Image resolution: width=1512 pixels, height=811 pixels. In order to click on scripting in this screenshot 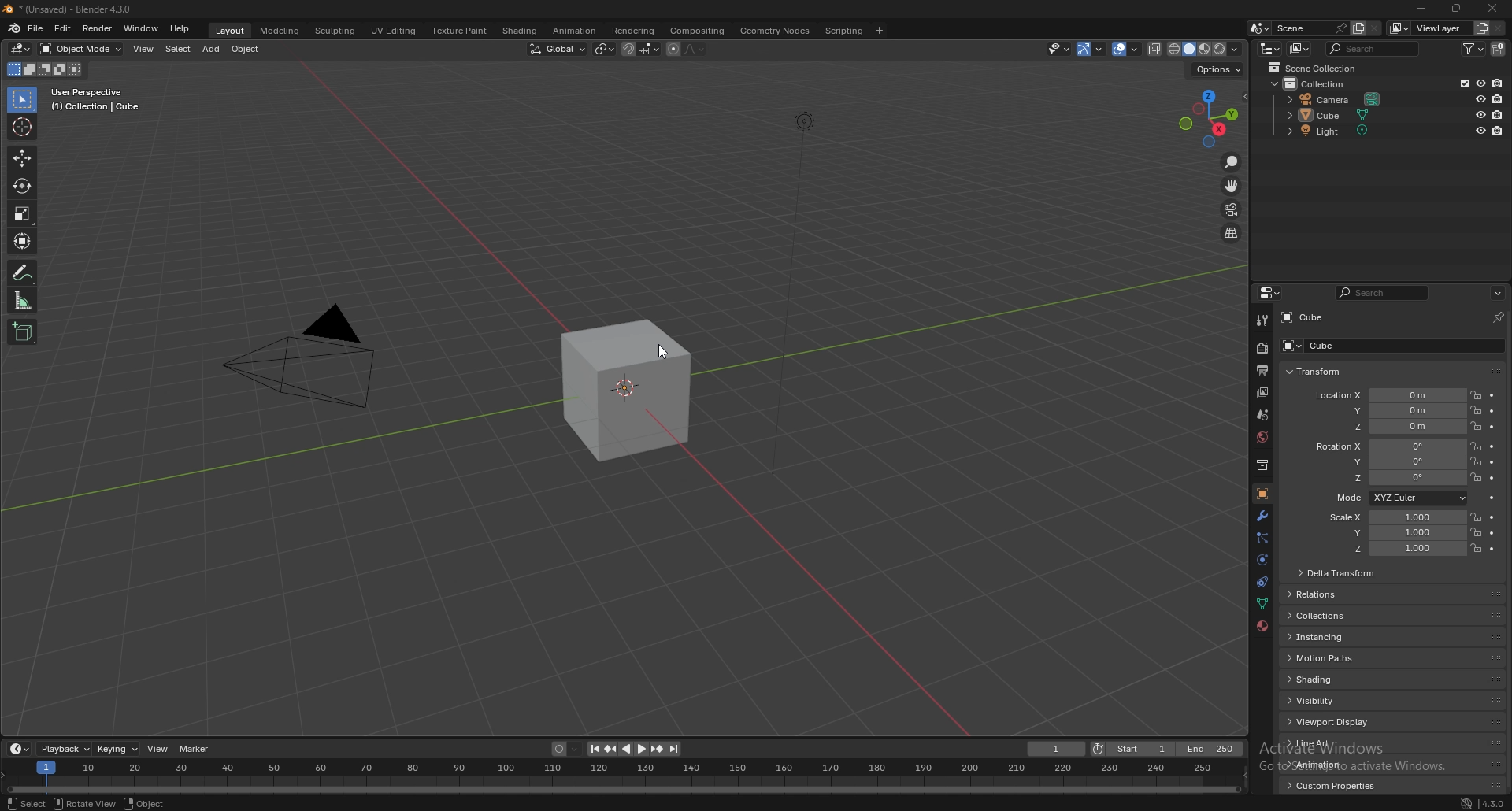, I will do `click(842, 31)`.